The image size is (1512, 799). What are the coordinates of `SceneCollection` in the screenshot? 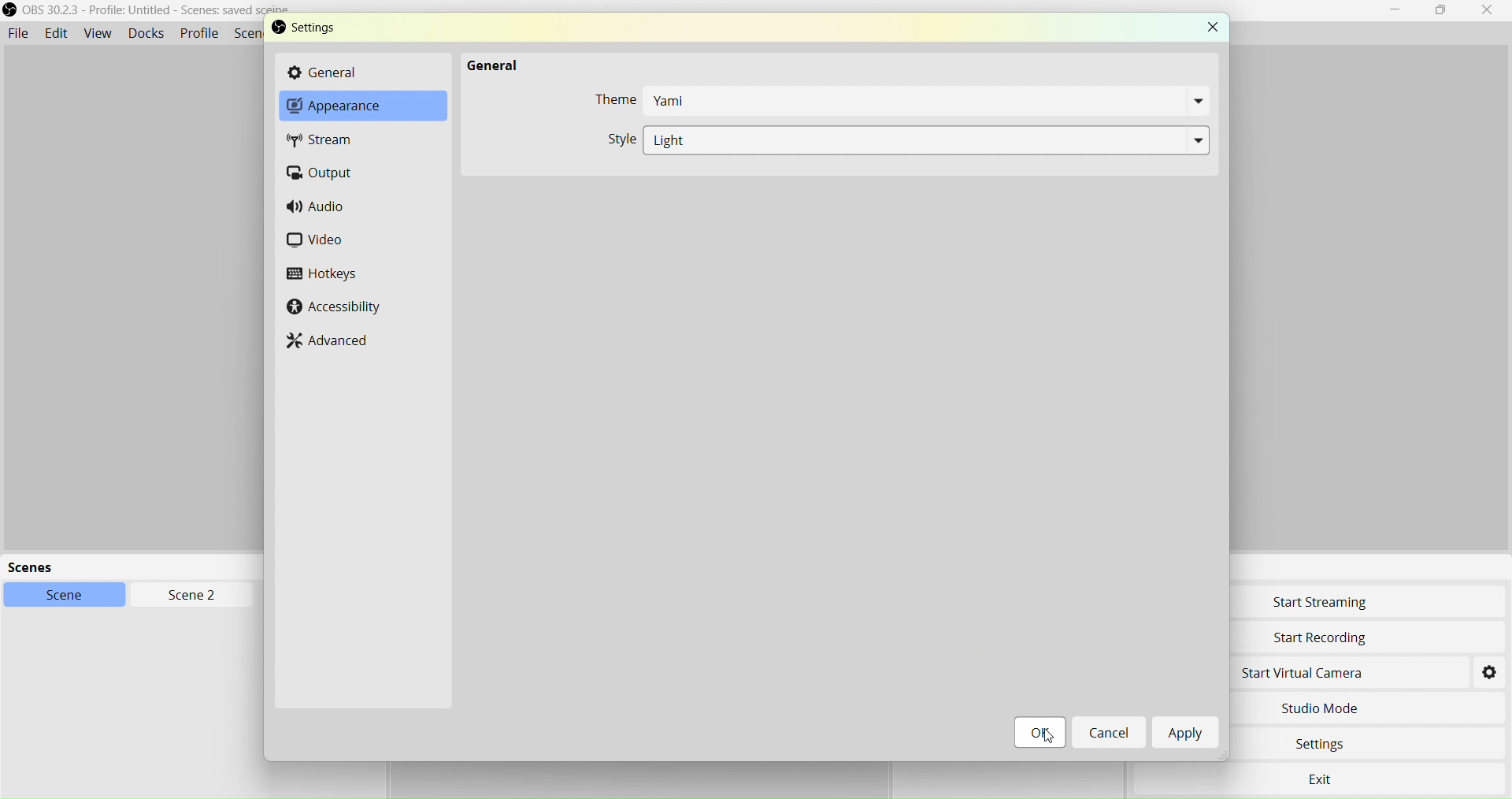 It's located at (250, 35).